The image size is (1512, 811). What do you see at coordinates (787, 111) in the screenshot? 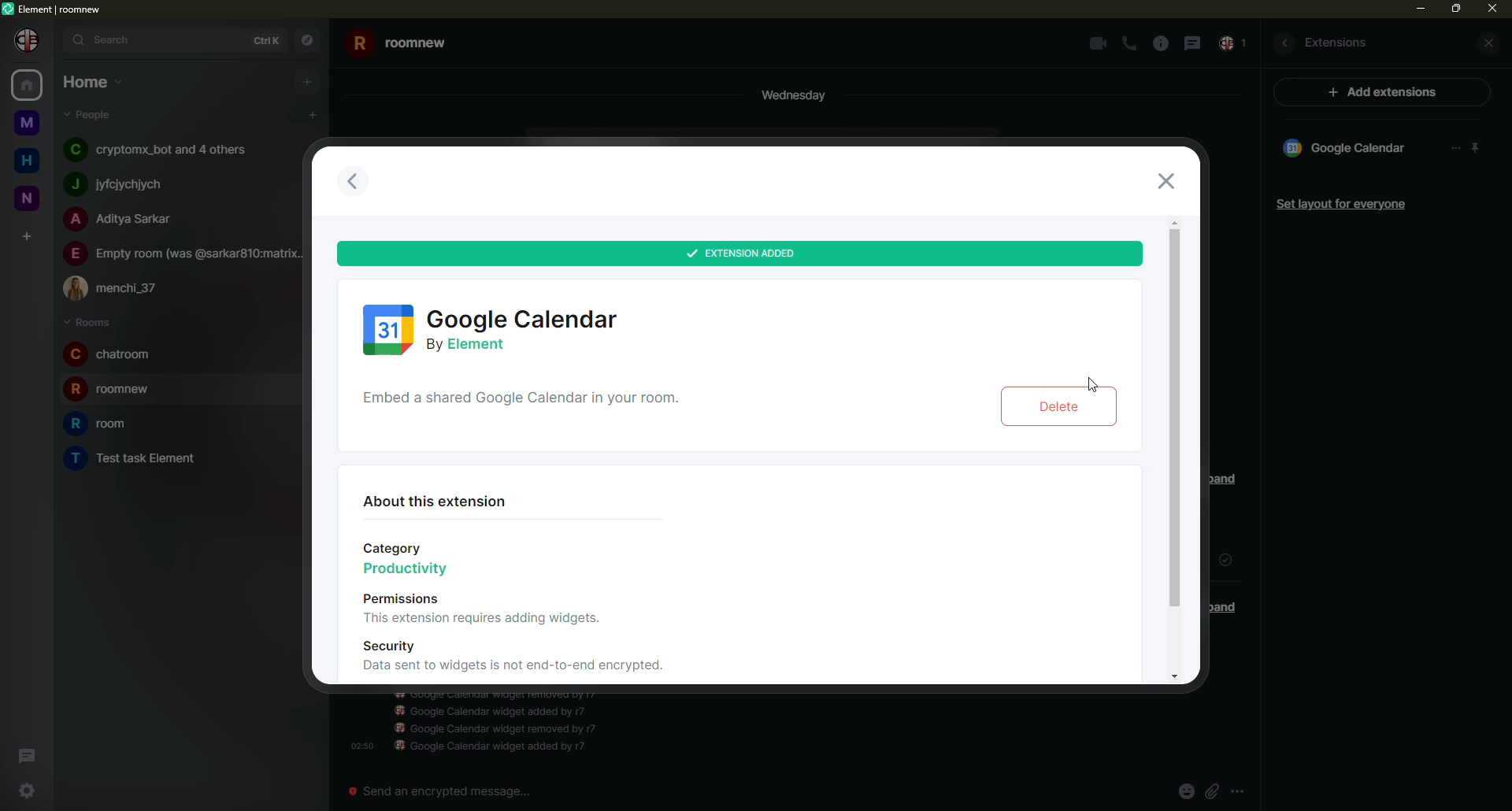
I see `day` at bounding box center [787, 111].